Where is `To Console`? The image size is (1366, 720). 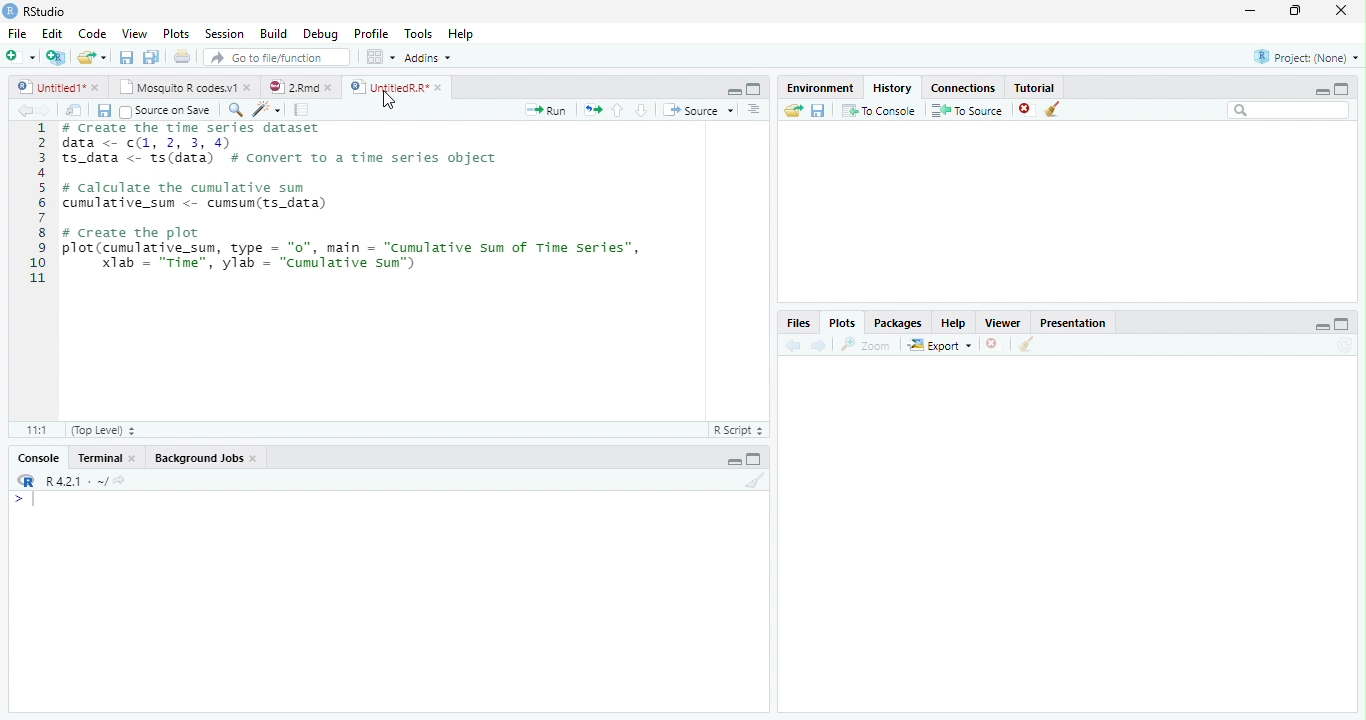
To Console is located at coordinates (879, 113).